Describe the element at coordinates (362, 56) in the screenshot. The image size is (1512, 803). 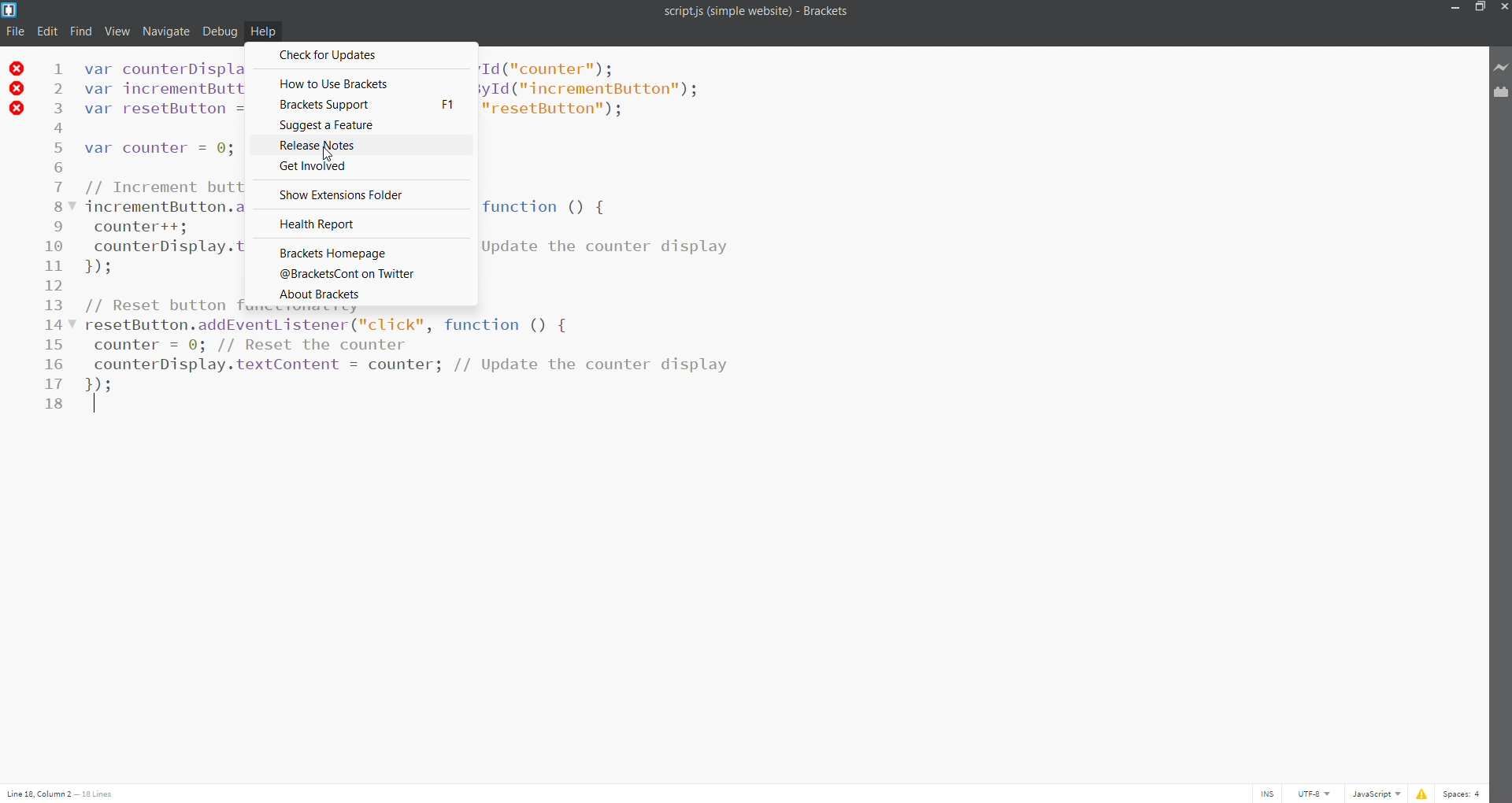
I see `check for updates` at that location.